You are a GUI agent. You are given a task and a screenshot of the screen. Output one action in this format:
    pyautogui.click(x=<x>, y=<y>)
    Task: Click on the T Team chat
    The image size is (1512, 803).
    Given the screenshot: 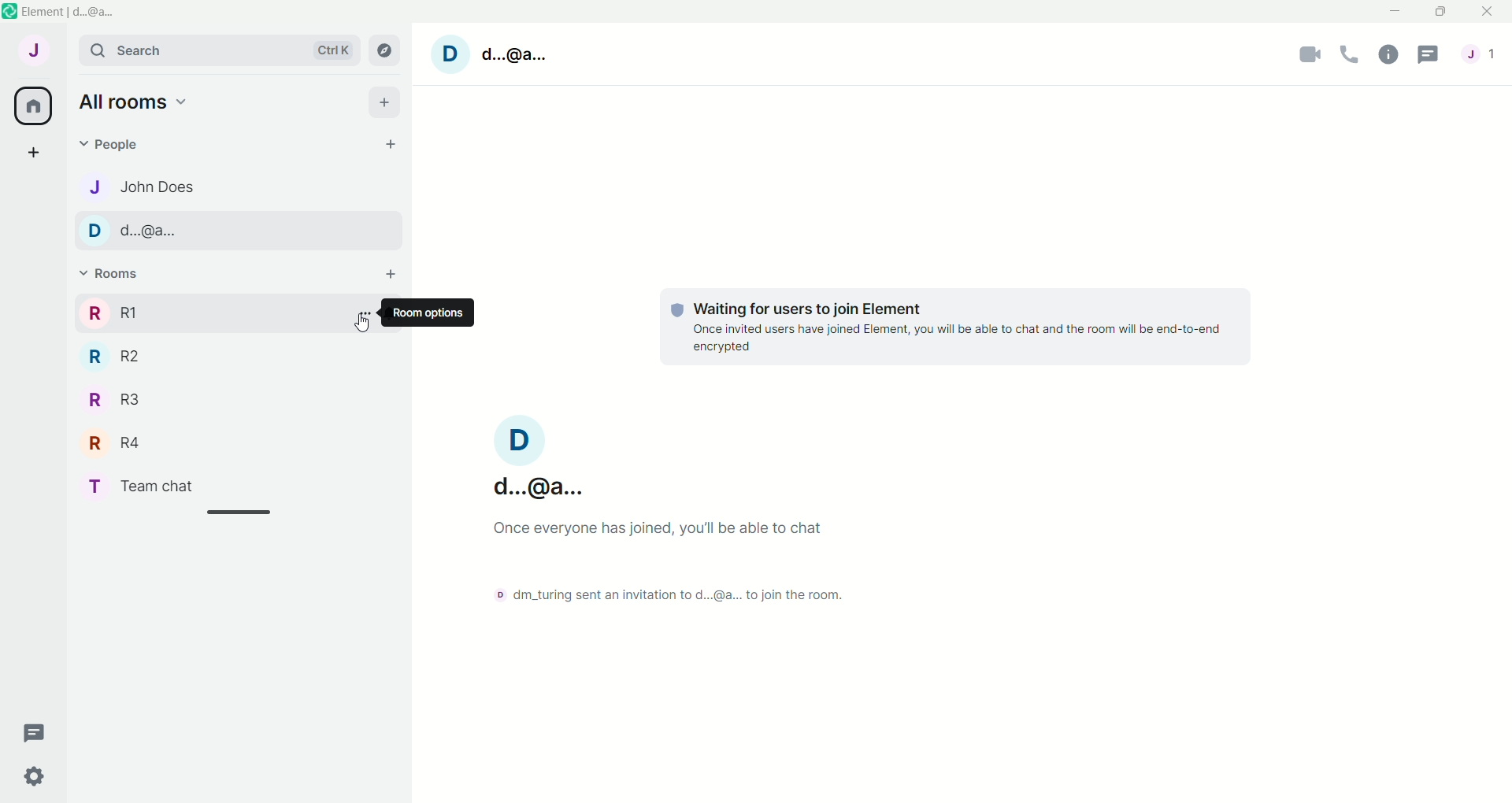 What is the action you would take?
    pyautogui.click(x=161, y=487)
    